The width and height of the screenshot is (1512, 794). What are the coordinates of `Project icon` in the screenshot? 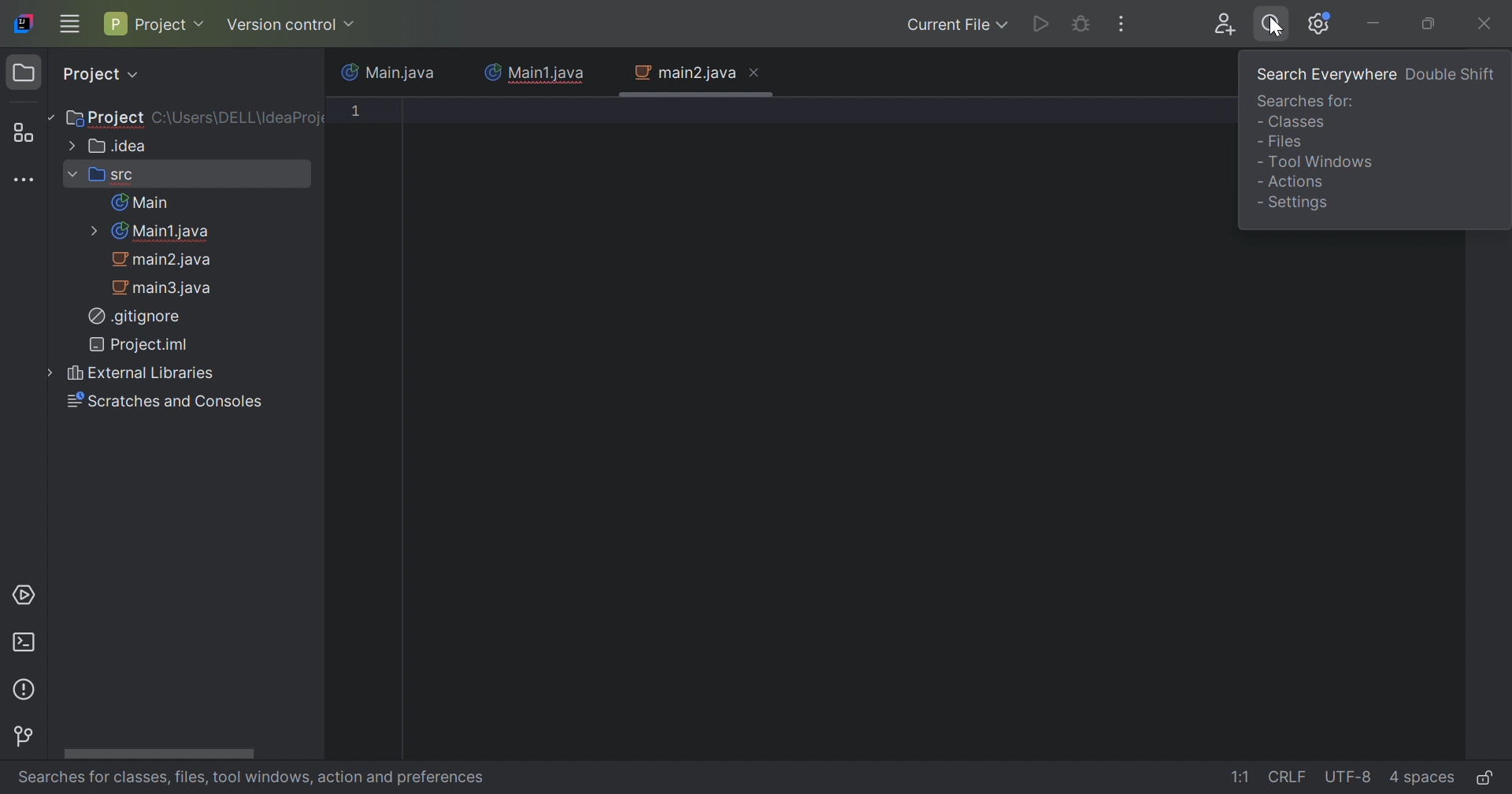 It's located at (24, 76).